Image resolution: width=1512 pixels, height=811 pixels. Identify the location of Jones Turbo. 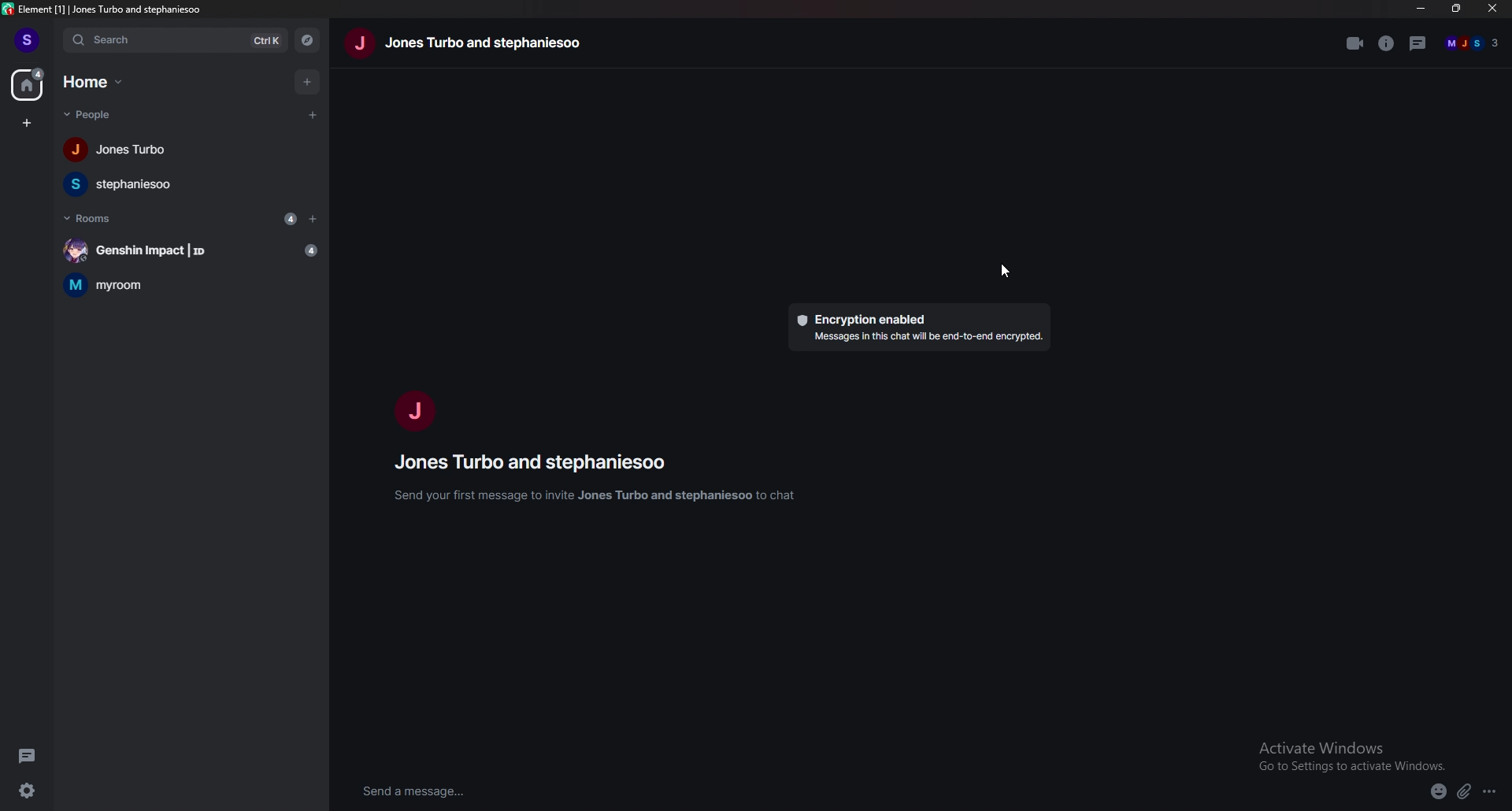
(116, 152).